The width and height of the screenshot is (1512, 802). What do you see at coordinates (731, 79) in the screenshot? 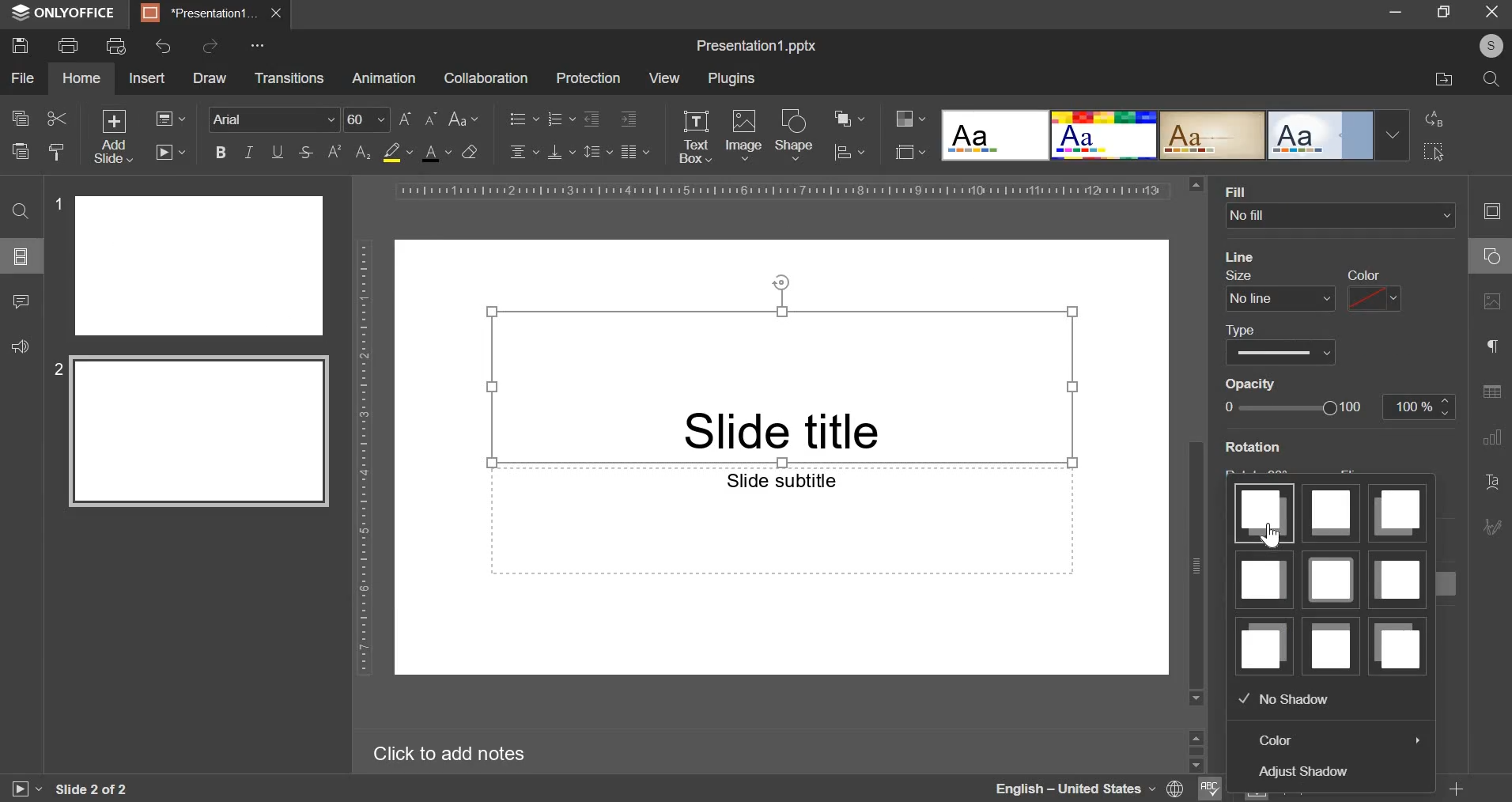
I see `plugins` at bounding box center [731, 79].